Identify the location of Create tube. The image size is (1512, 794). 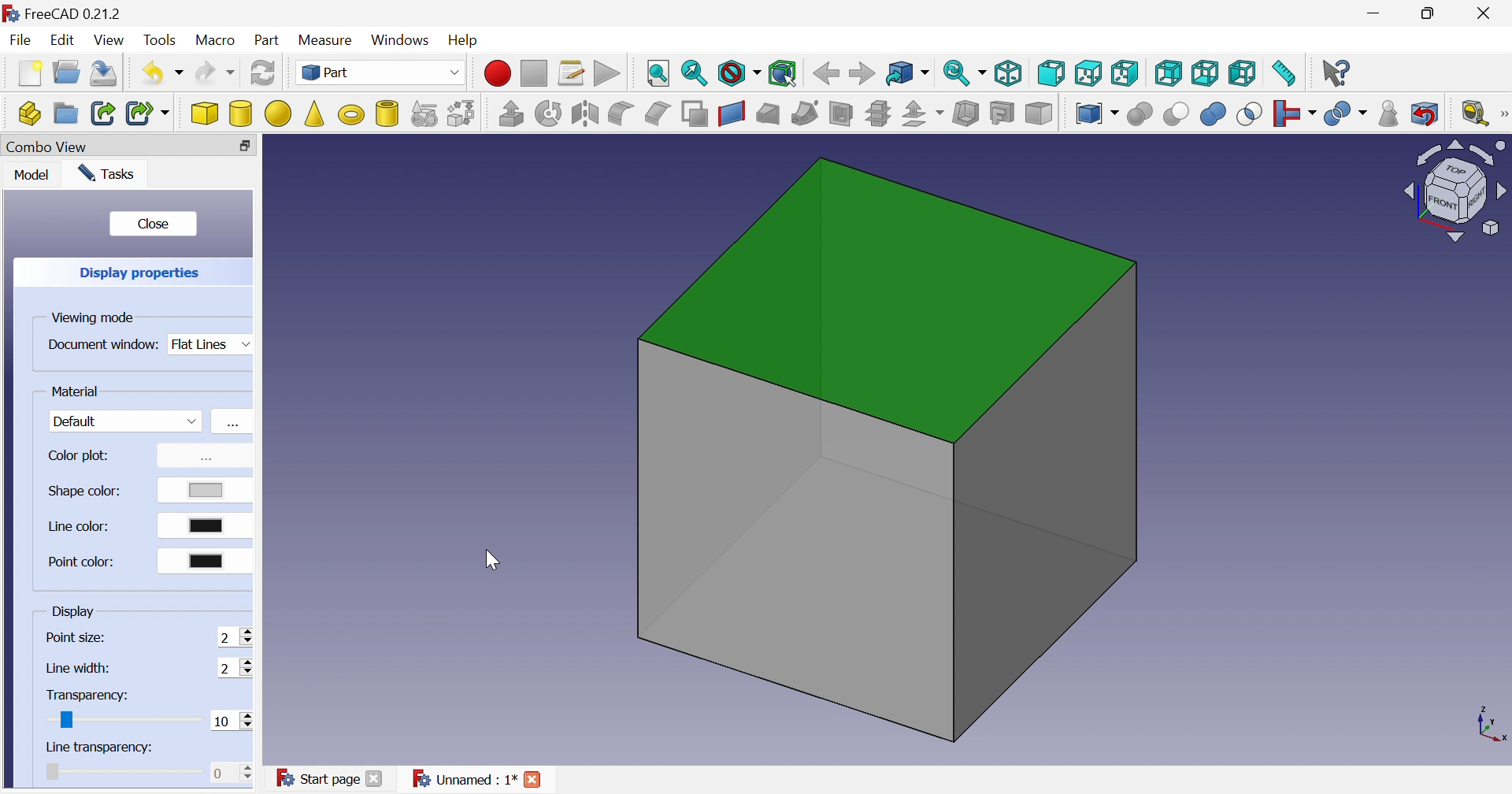
(388, 114).